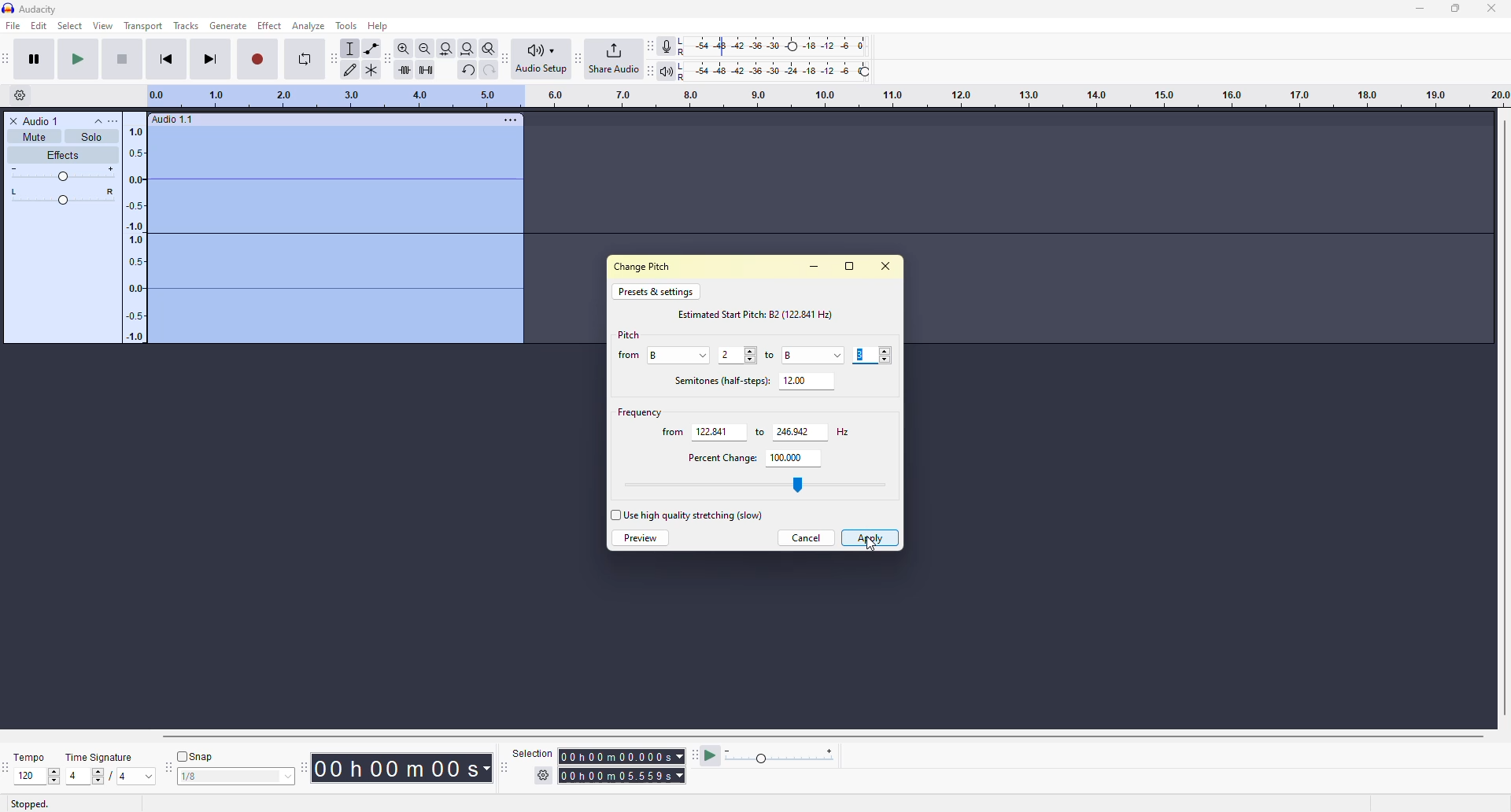 The height and width of the screenshot is (812, 1511). I want to click on multi tool, so click(375, 68).